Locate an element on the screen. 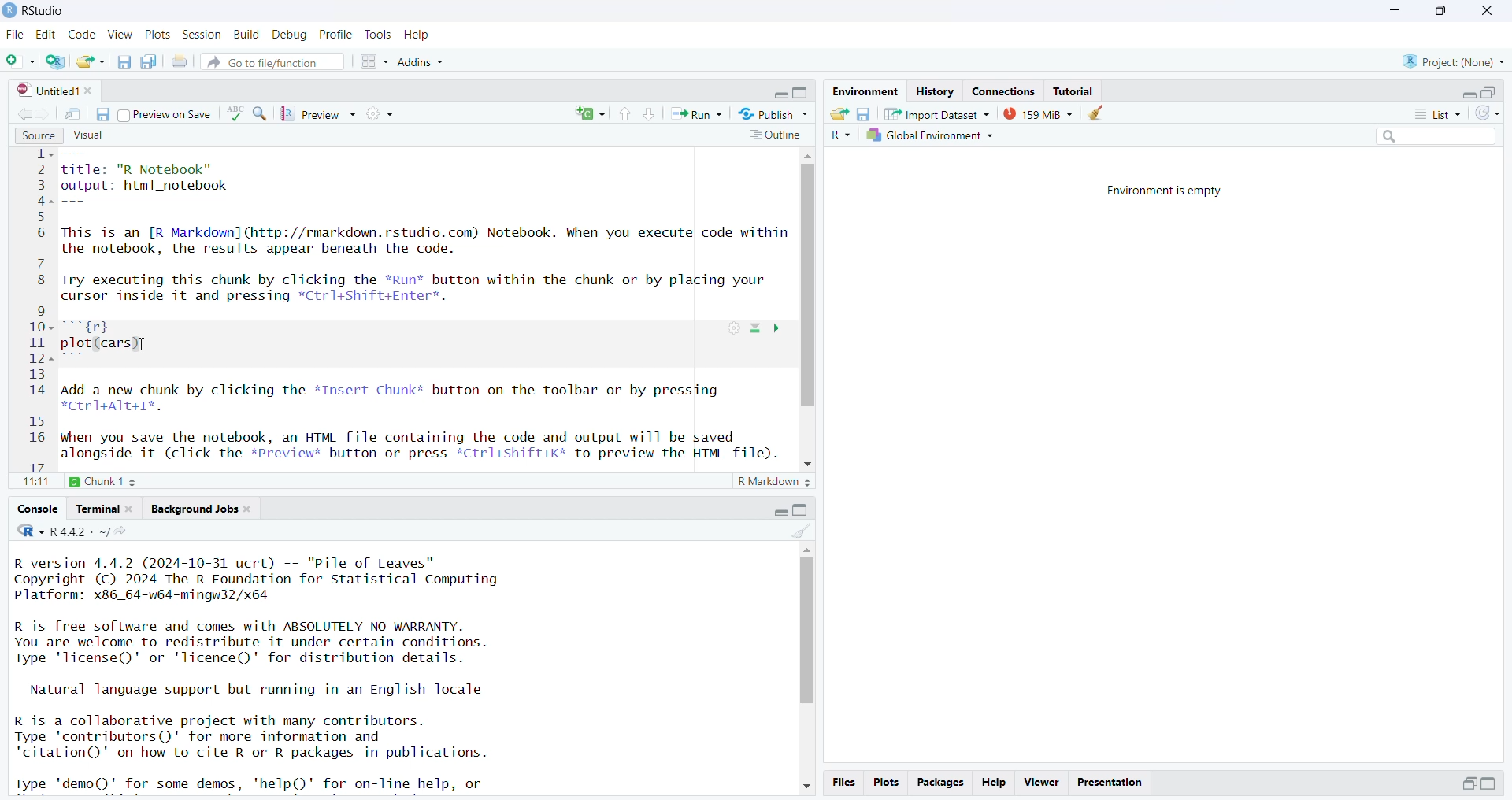 The width and height of the screenshot is (1512, 800). search is located at coordinates (1430, 139).